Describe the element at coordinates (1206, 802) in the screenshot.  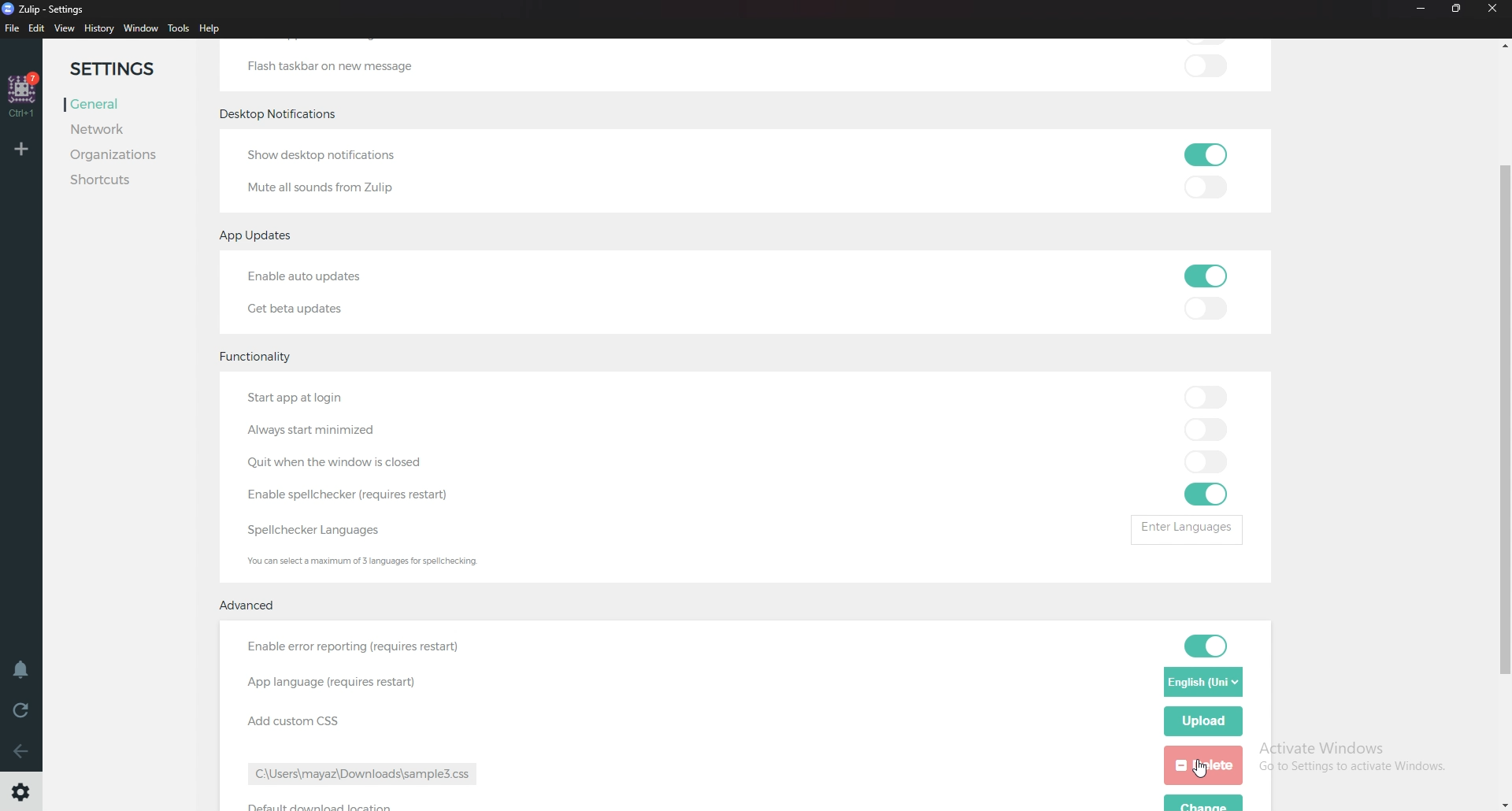
I see `change` at that location.